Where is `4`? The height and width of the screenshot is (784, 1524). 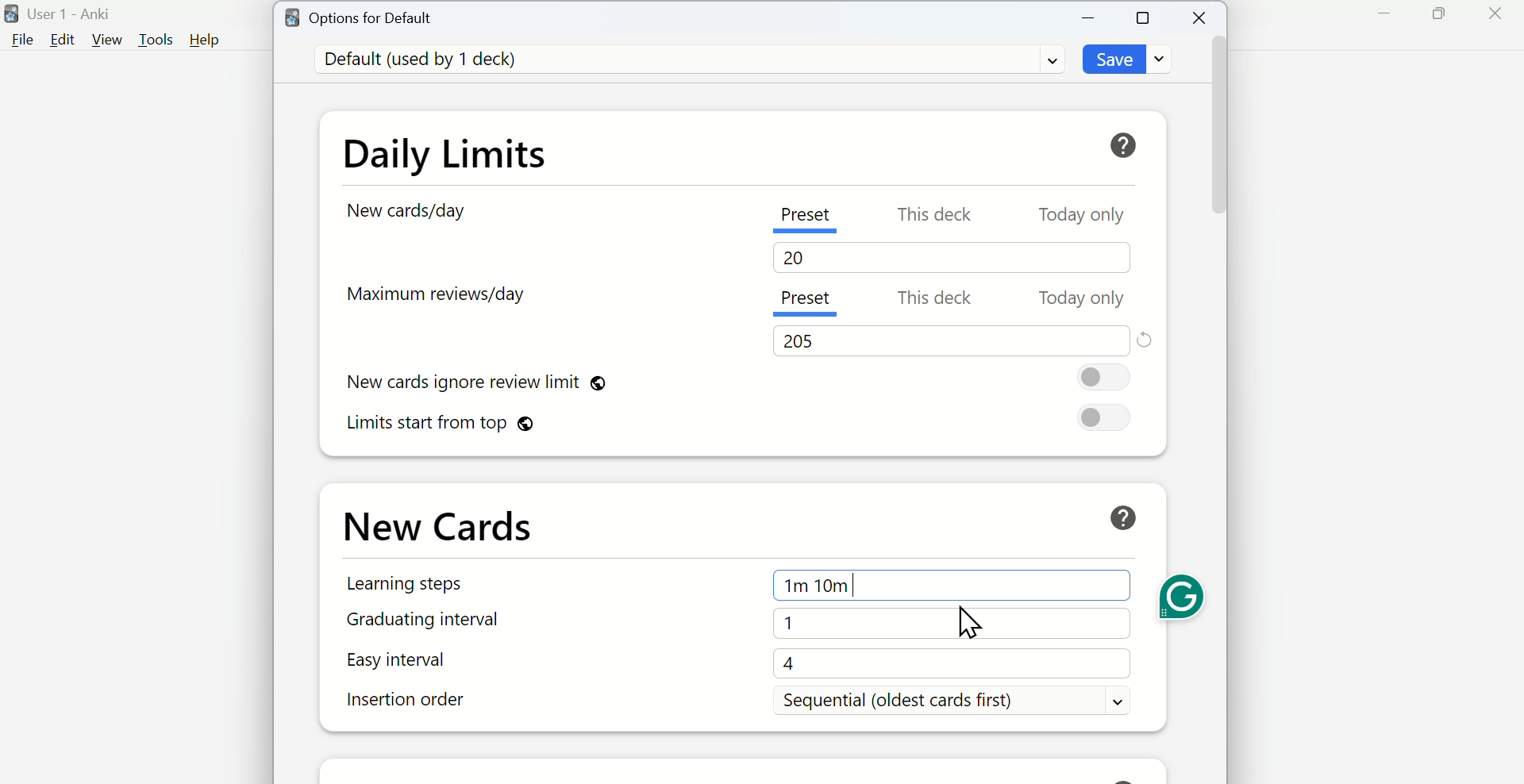 4 is located at coordinates (956, 665).